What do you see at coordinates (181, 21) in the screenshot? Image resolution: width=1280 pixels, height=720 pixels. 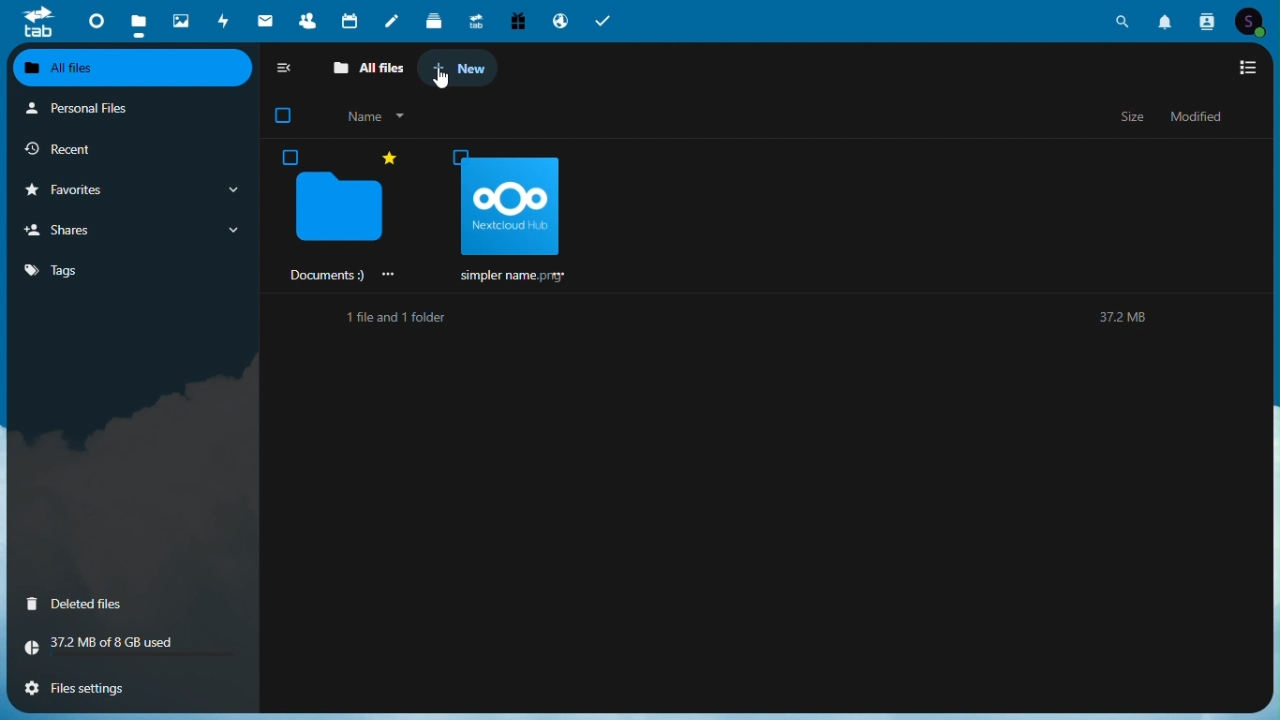 I see `Photos` at bounding box center [181, 21].